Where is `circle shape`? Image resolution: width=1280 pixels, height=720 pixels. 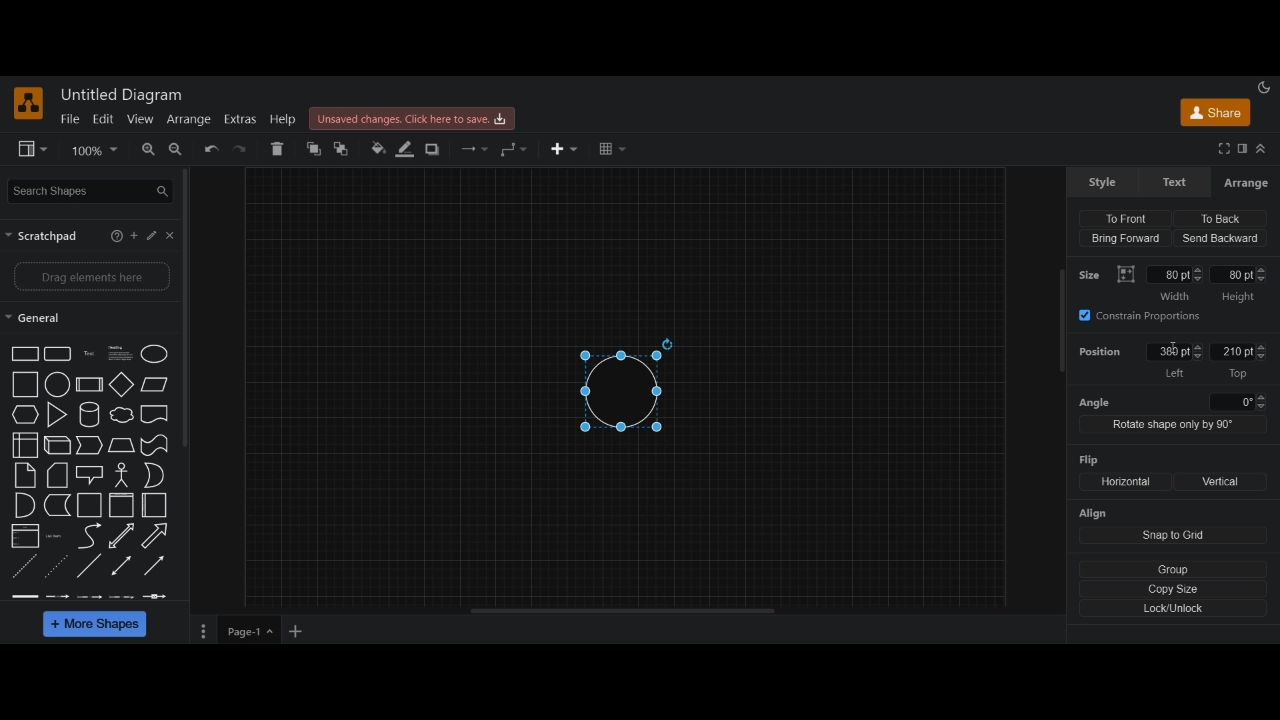
circle shape is located at coordinates (625, 383).